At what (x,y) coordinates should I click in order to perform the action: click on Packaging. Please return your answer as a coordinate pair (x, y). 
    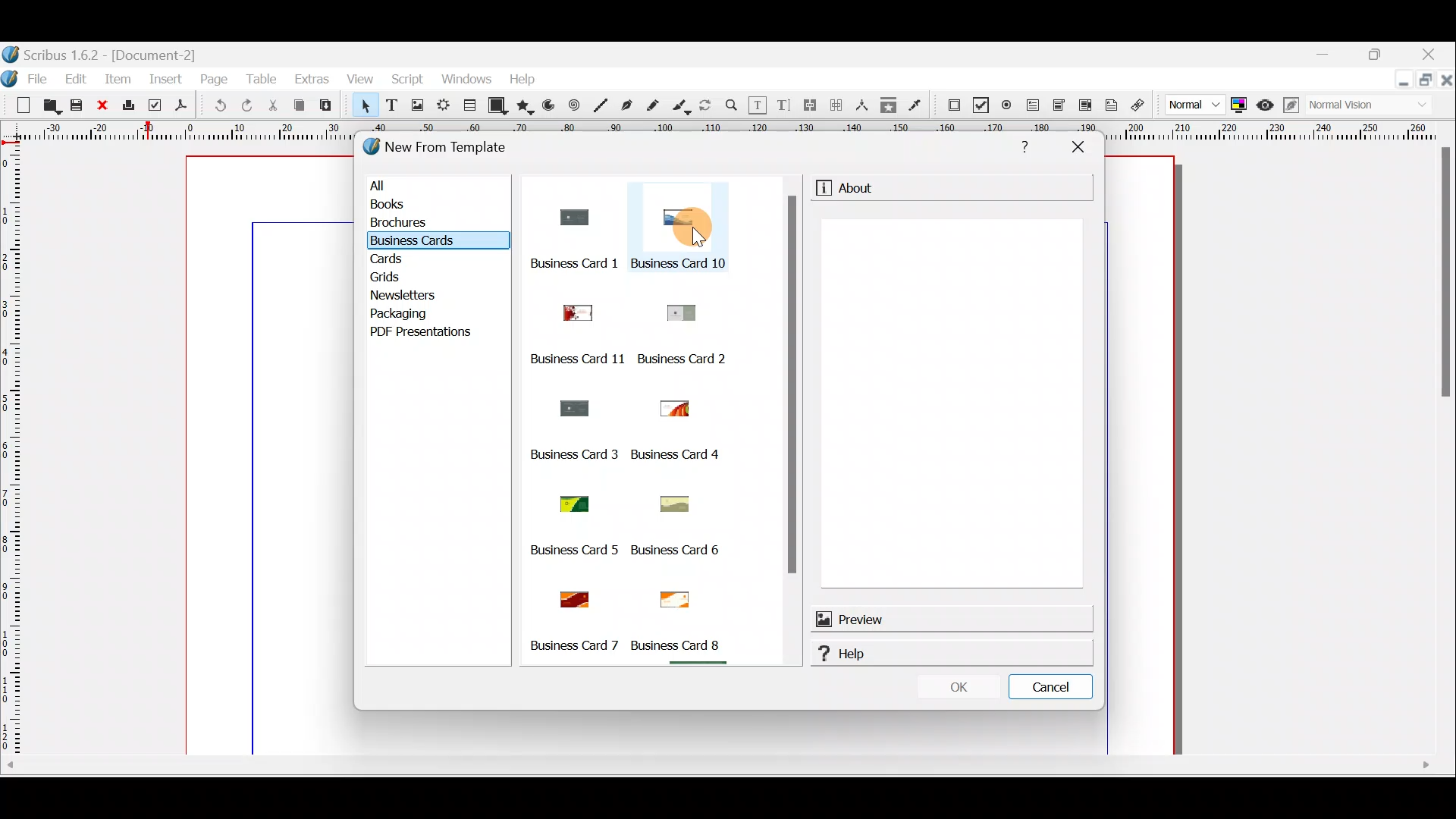
    Looking at the image, I should click on (408, 314).